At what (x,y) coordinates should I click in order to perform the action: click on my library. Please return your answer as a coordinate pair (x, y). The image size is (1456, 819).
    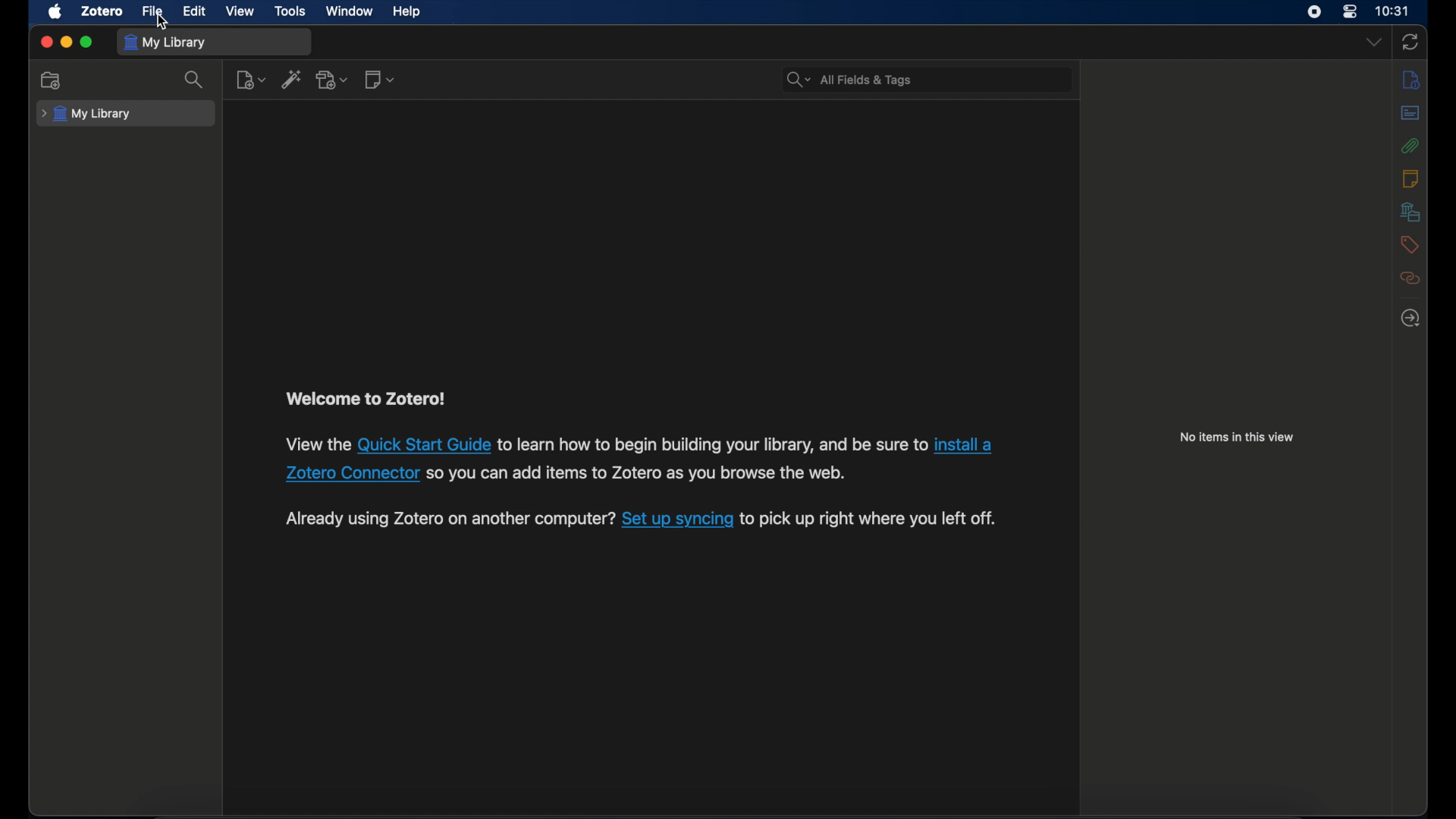
    Looking at the image, I should click on (167, 42).